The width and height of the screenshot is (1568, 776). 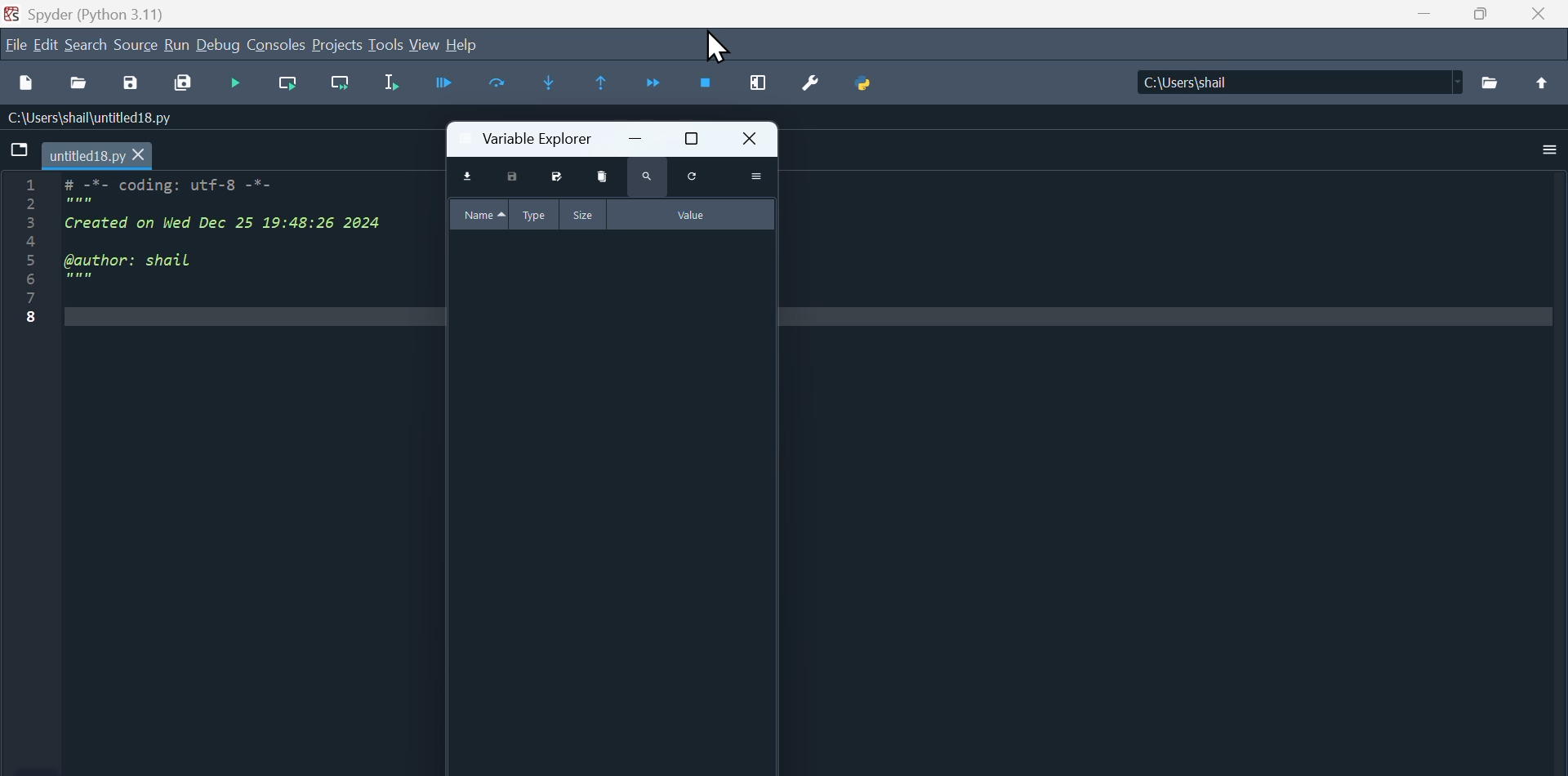 I want to click on Maximize current window, so click(x=757, y=87).